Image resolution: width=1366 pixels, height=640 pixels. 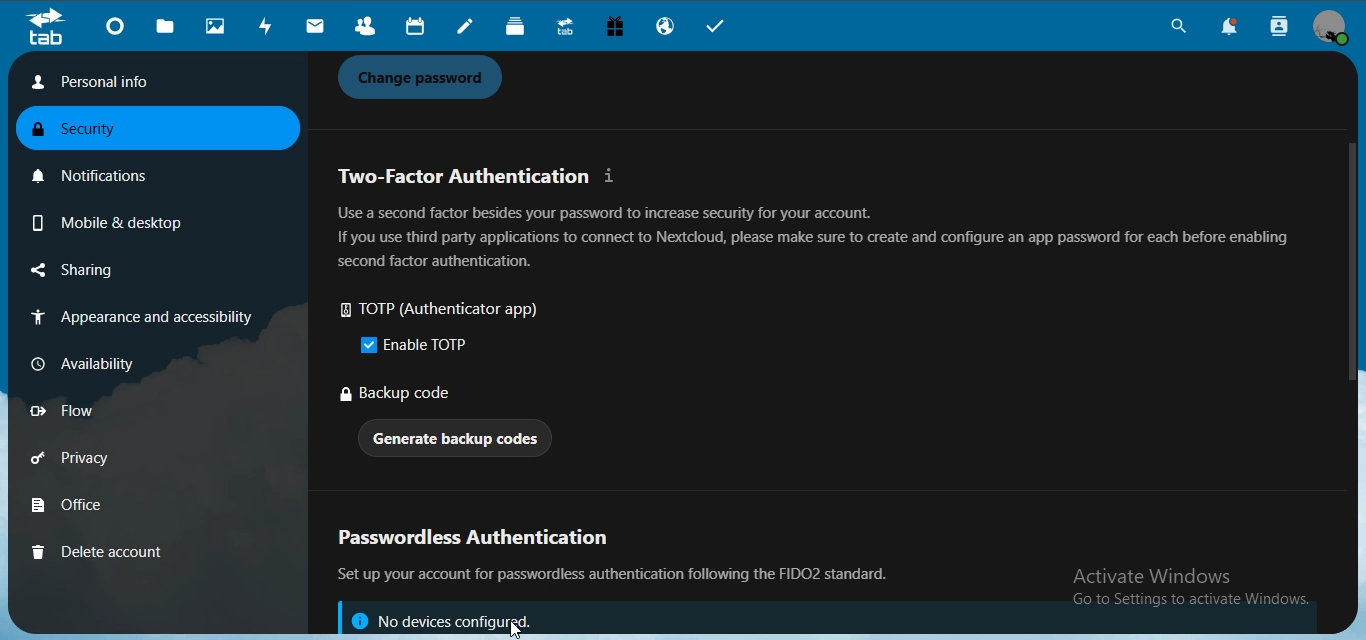 What do you see at coordinates (468, 28) in the screenshot?
I see `notes` at bounding box center [468, 28].